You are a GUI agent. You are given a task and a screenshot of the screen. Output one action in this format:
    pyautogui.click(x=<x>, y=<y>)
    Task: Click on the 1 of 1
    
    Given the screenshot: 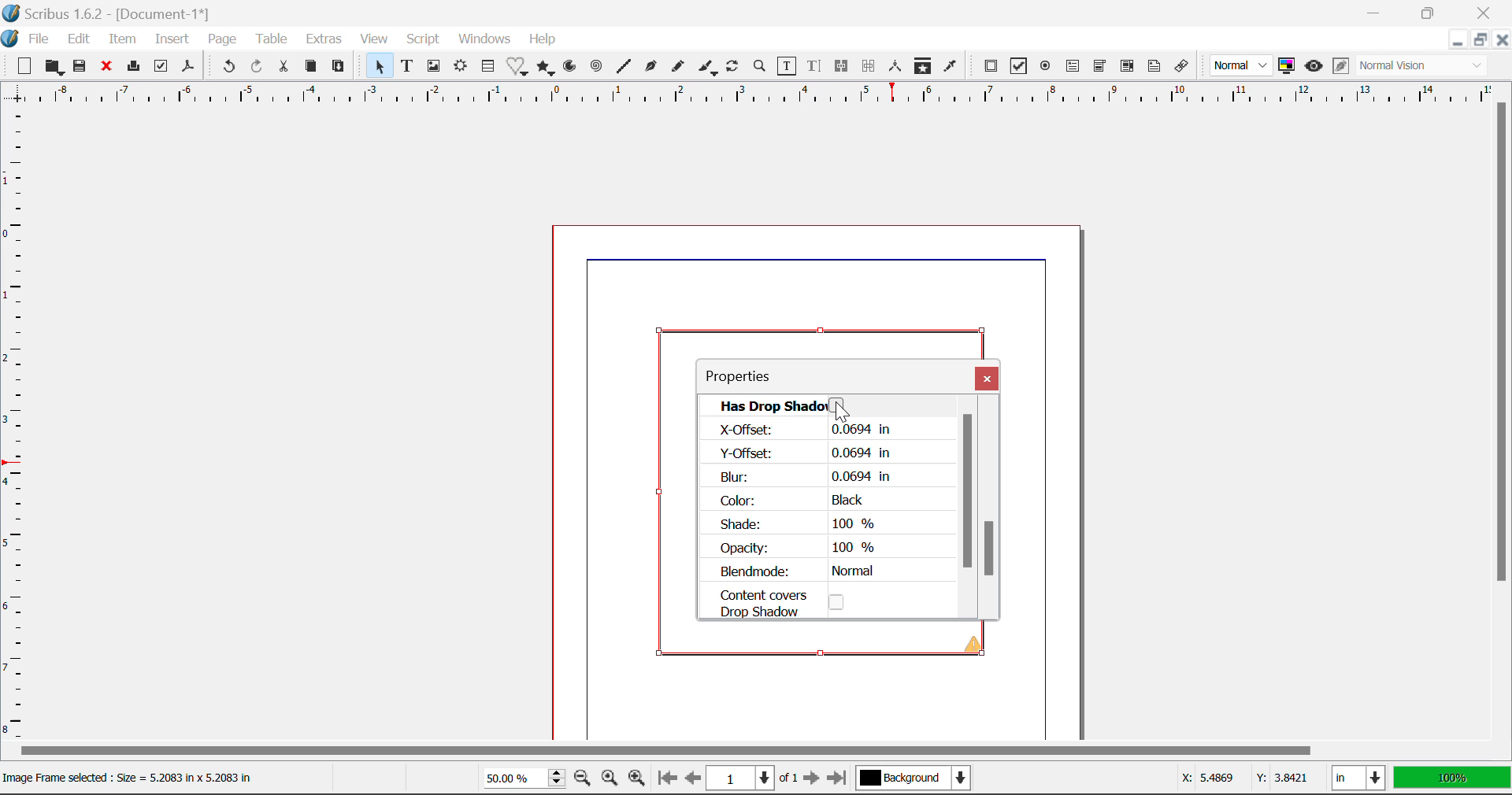 What is the action you would take?
    pyautogui.click(x=751, y=778)
    